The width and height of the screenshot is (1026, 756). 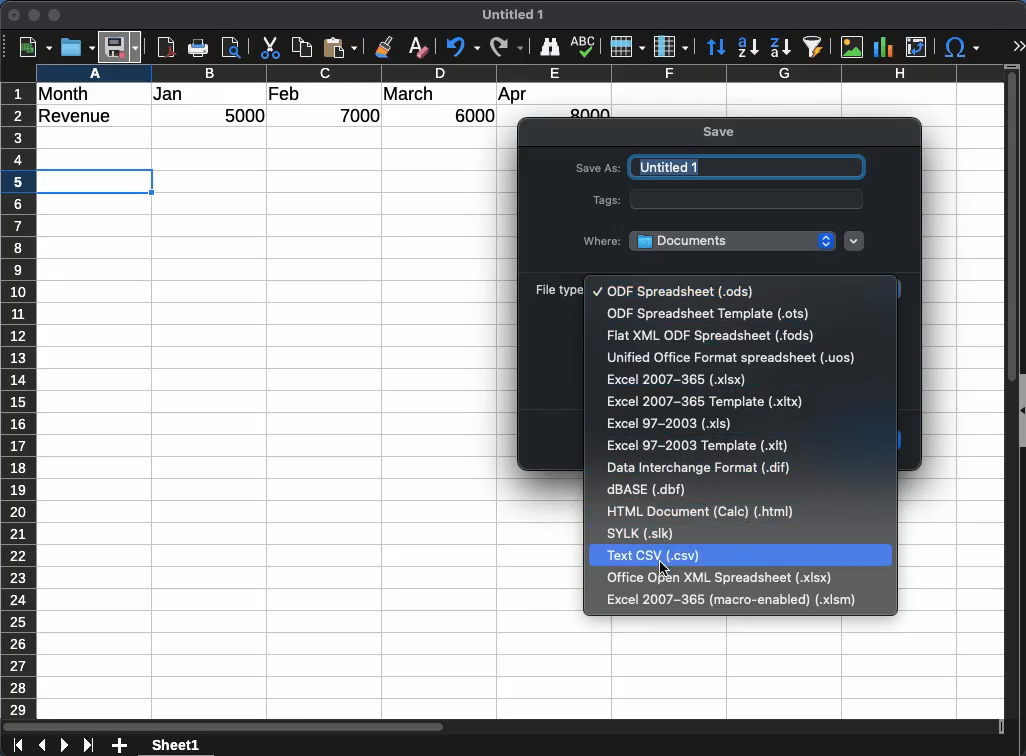 What do you see at coordinates (80, 117) in the screenshot?
I see `revenue` at bounding box center [80, 117].